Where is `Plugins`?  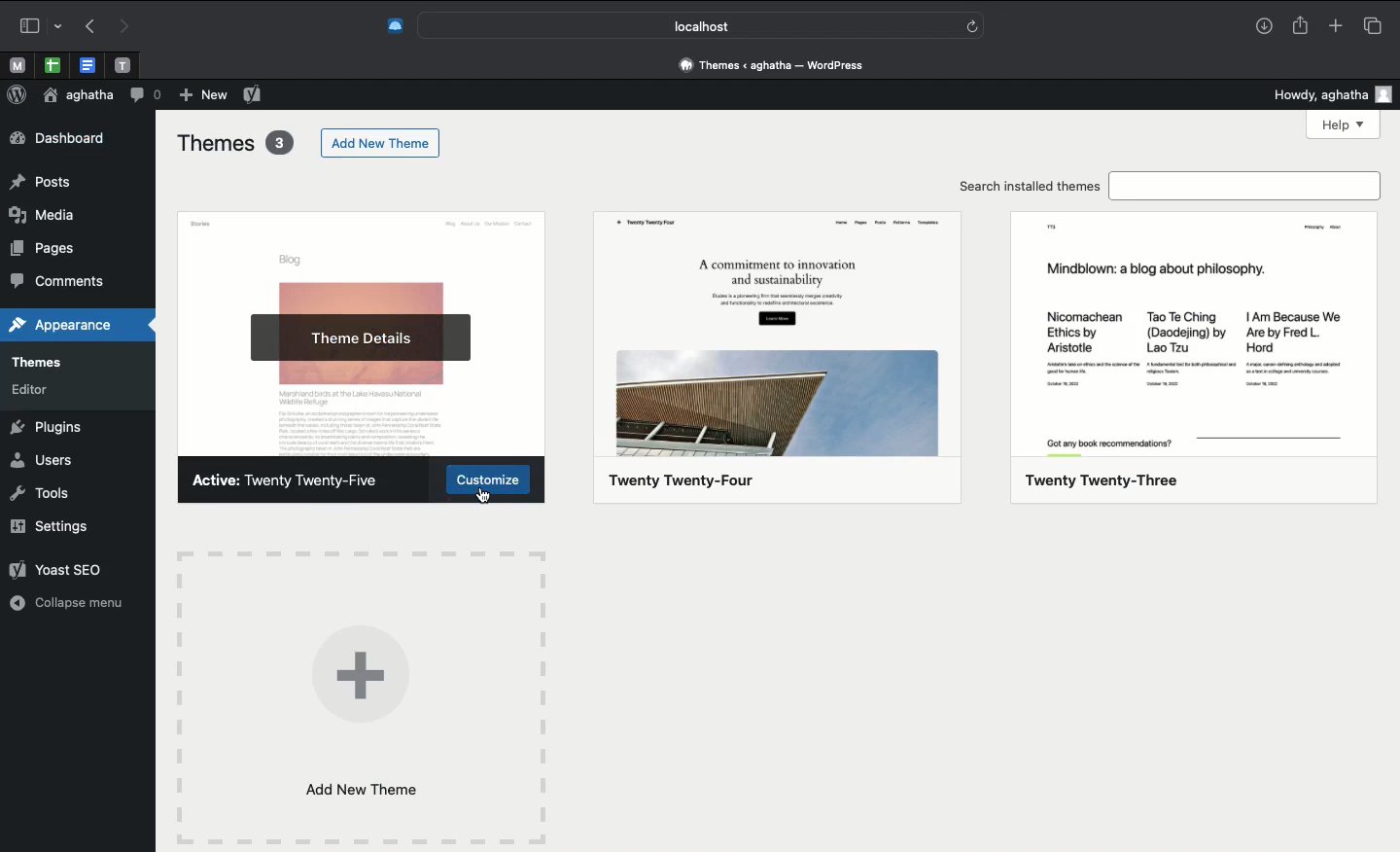 Plugins is located at coordinates (45, 431).